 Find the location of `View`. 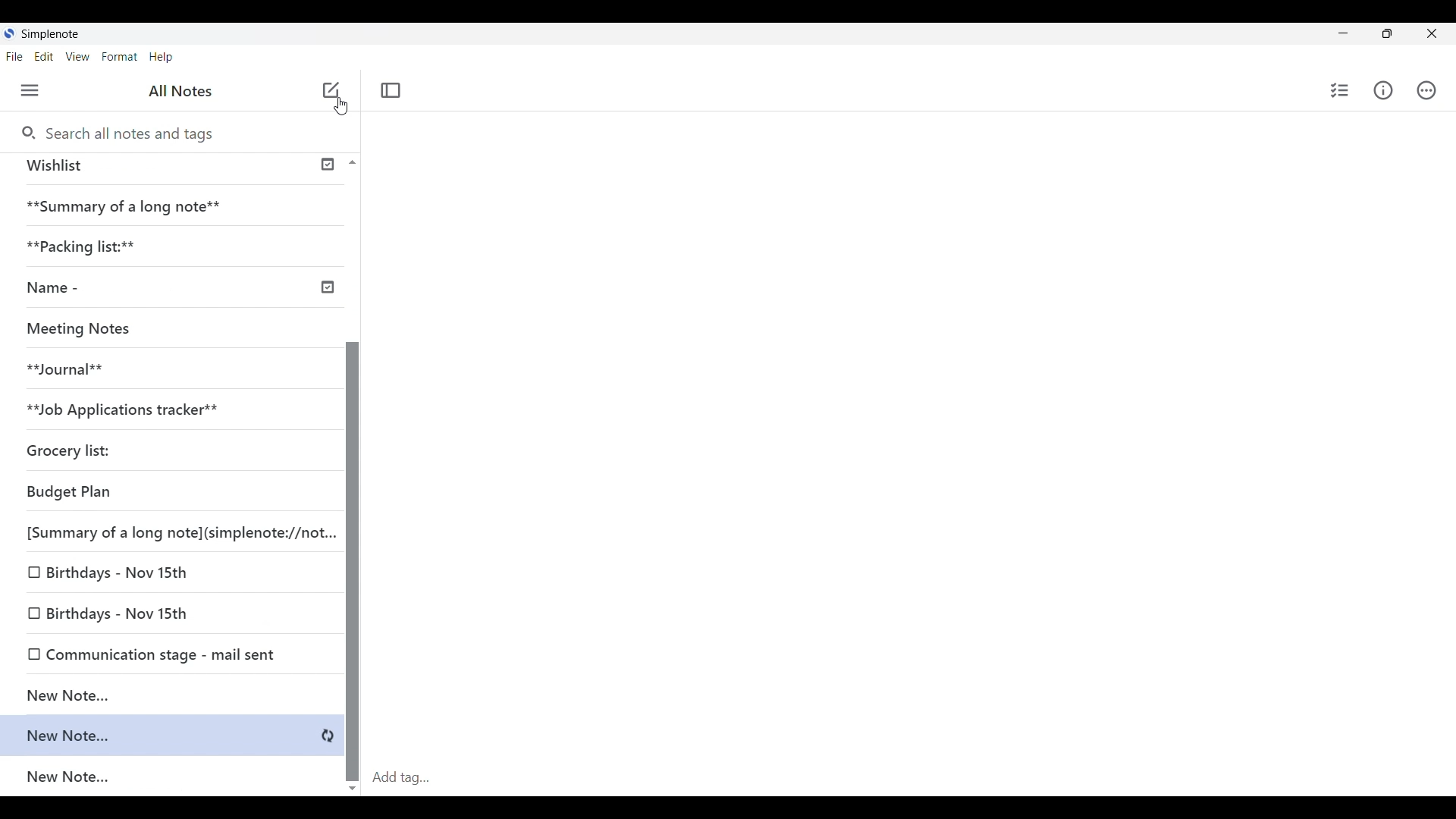

View is located at coordinates (80, 58).